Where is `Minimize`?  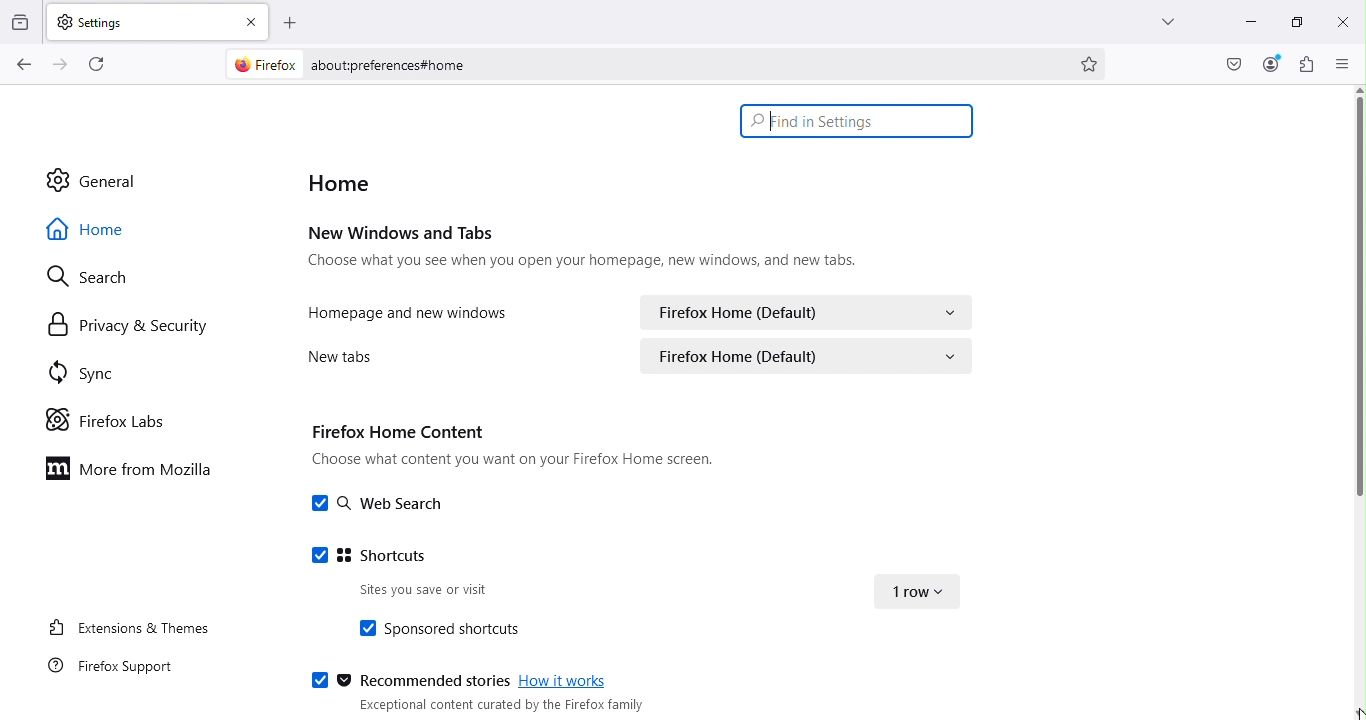 Minimize is located at coordinates (1241, 19).